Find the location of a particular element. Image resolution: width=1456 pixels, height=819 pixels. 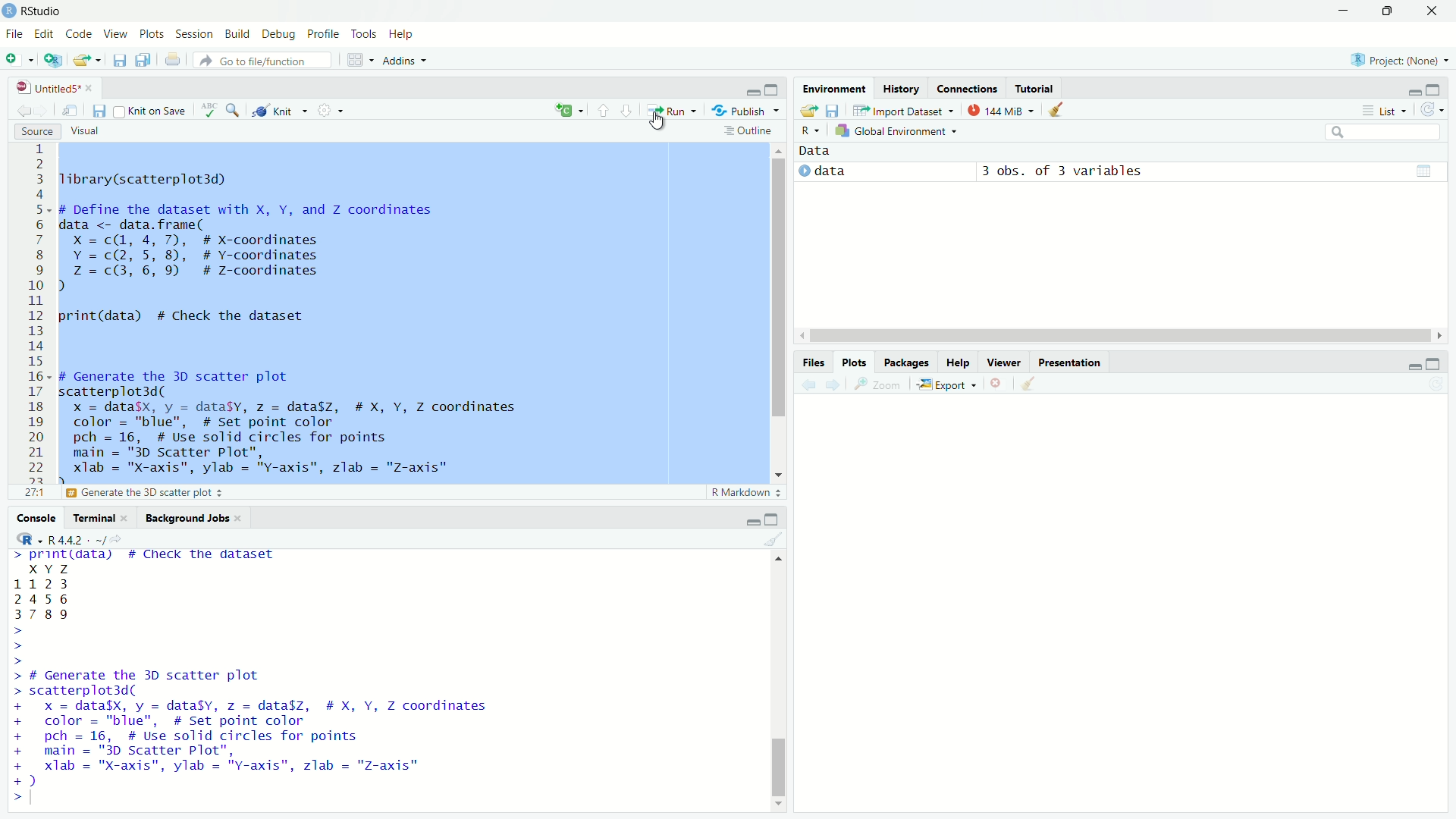

plots is located at coordinates (855, 362).